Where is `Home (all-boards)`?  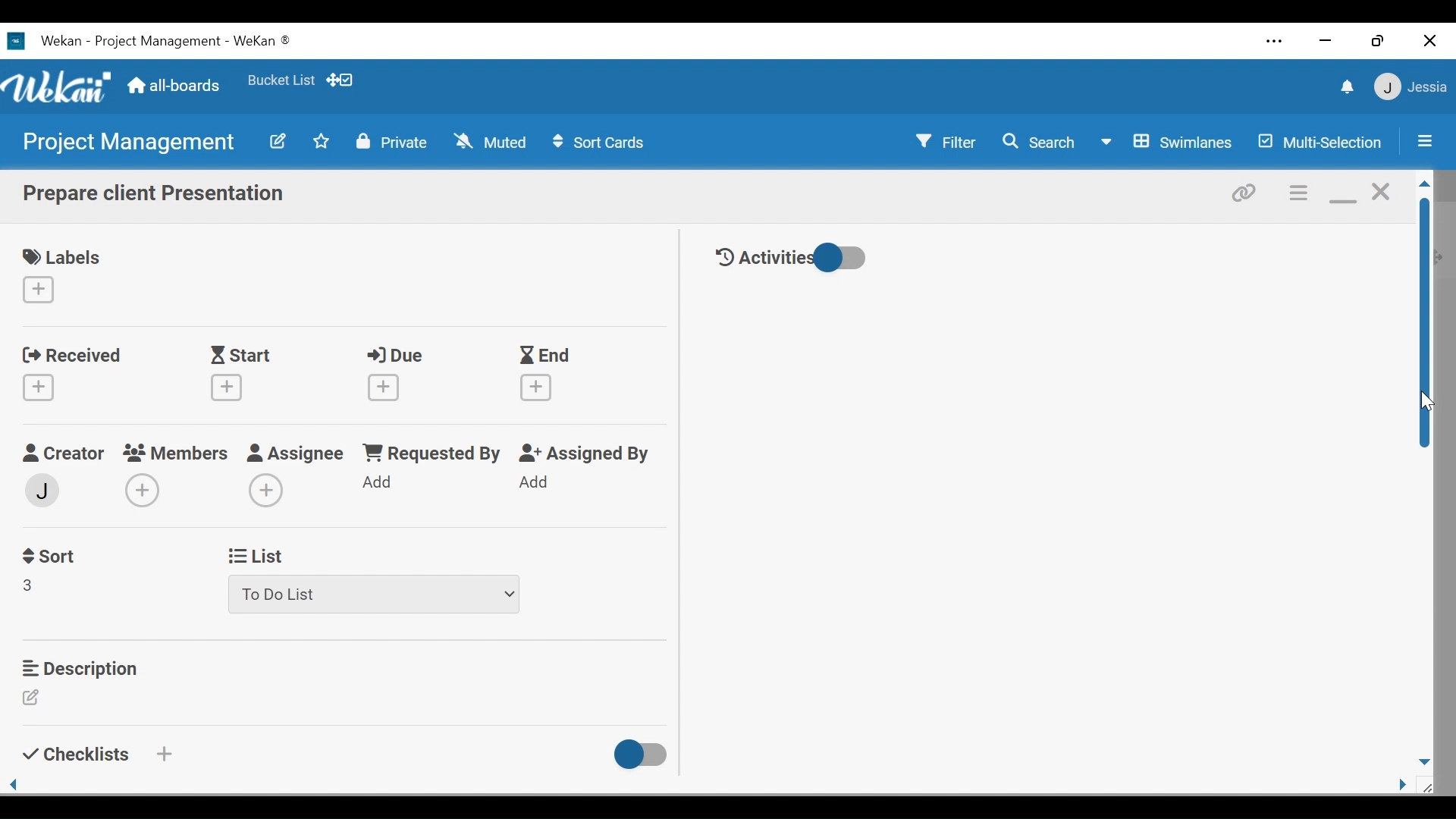
Home (all-boards) is located at coordinates (176, 88).